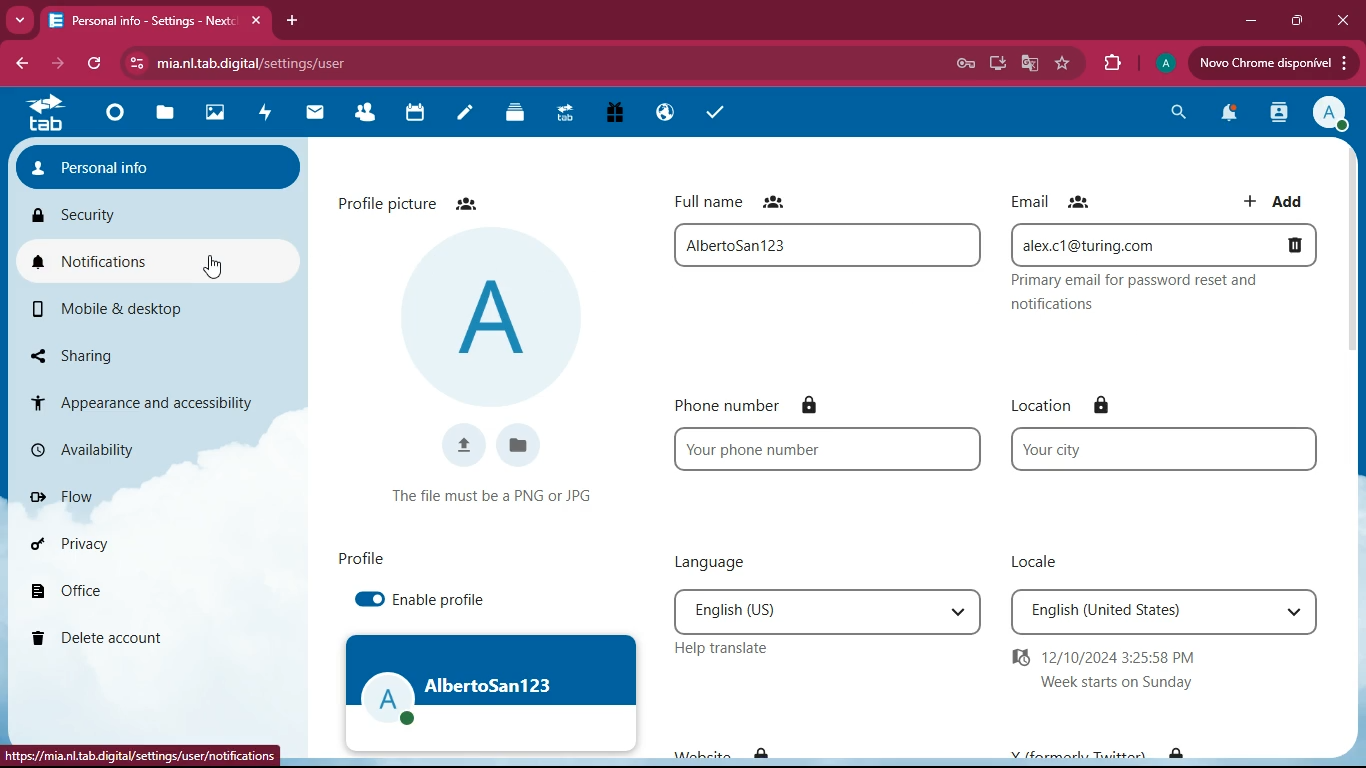 This screenshot has height=768, width=1366. Describe the element at coordinates (1168, 291) in the screenshot. I see `description` at that location.